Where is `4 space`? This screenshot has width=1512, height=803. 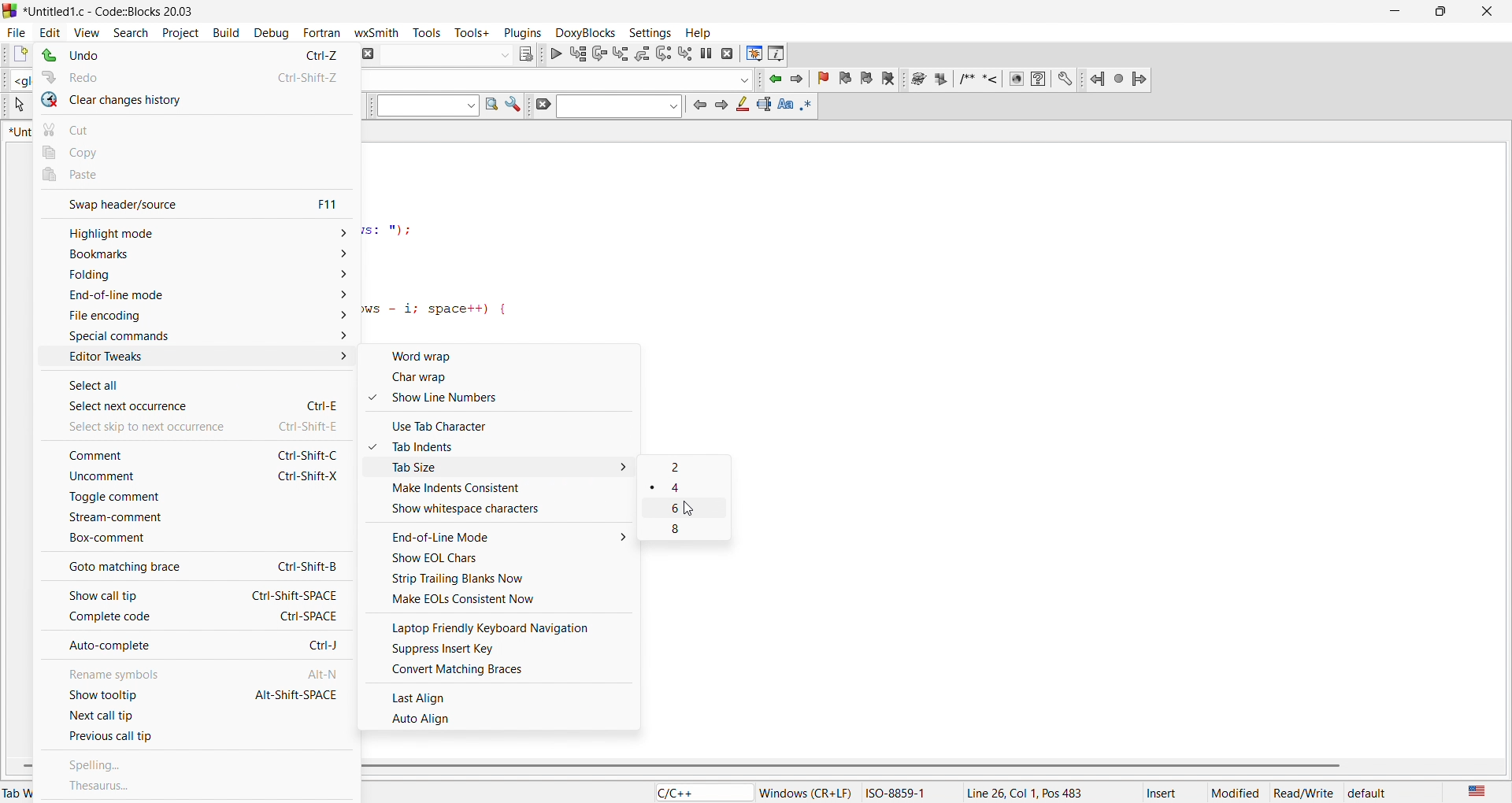
4 space is located at coordinates (694, 466).